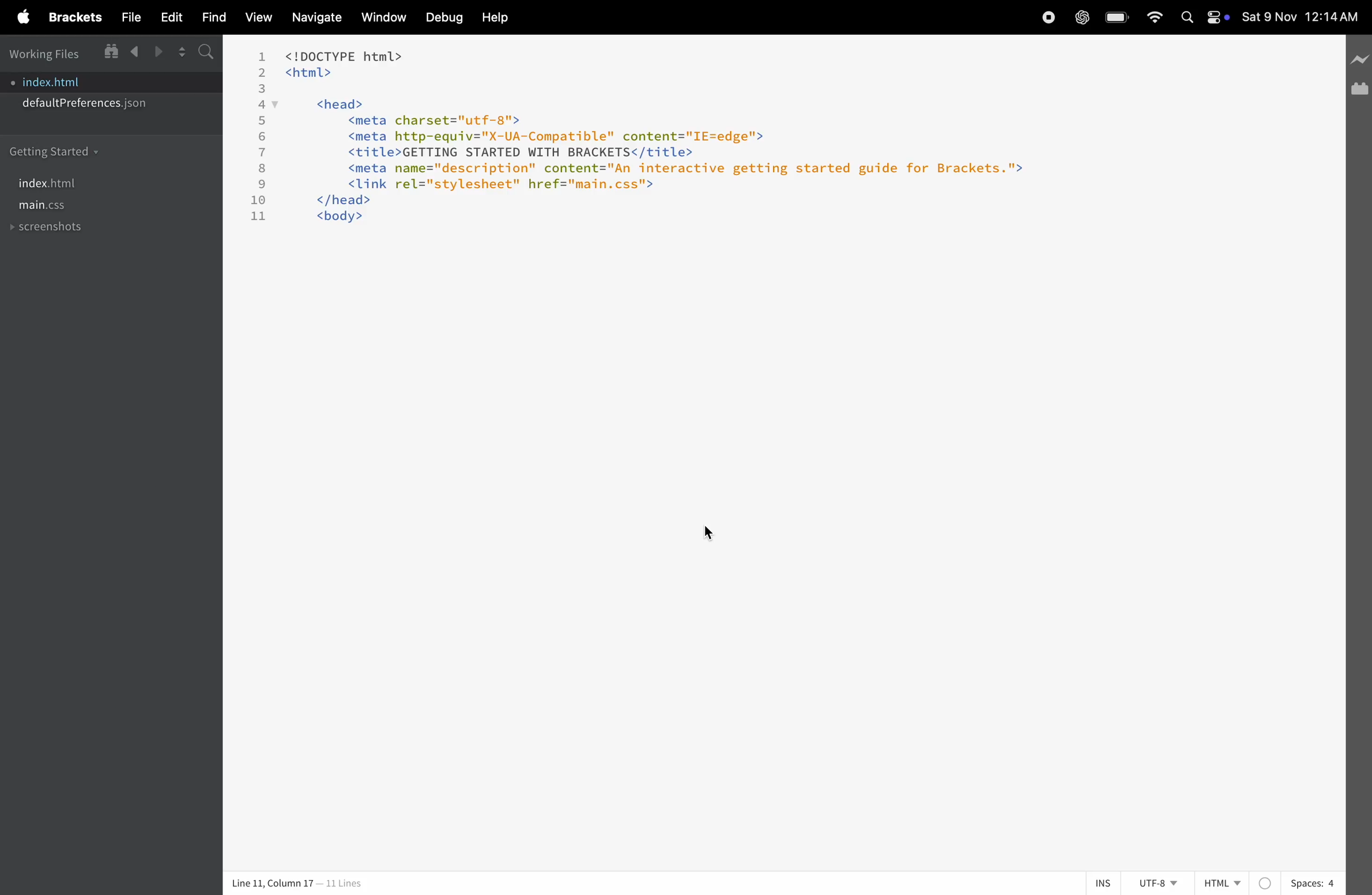 This screenshot has width=1372, height=895. I want to click on view, so click(256, 19).